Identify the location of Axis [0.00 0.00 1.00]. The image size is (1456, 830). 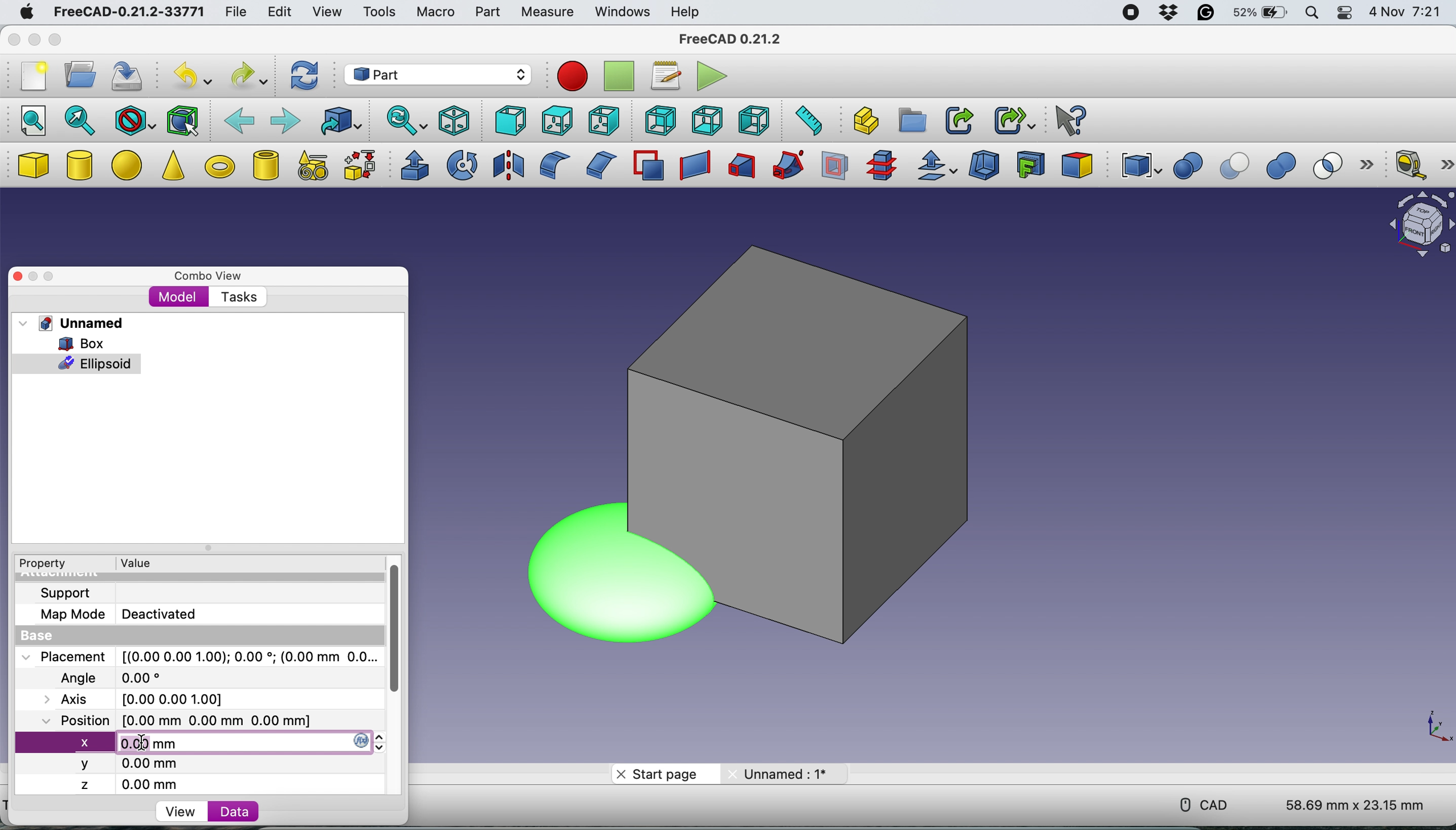
(140, 698).